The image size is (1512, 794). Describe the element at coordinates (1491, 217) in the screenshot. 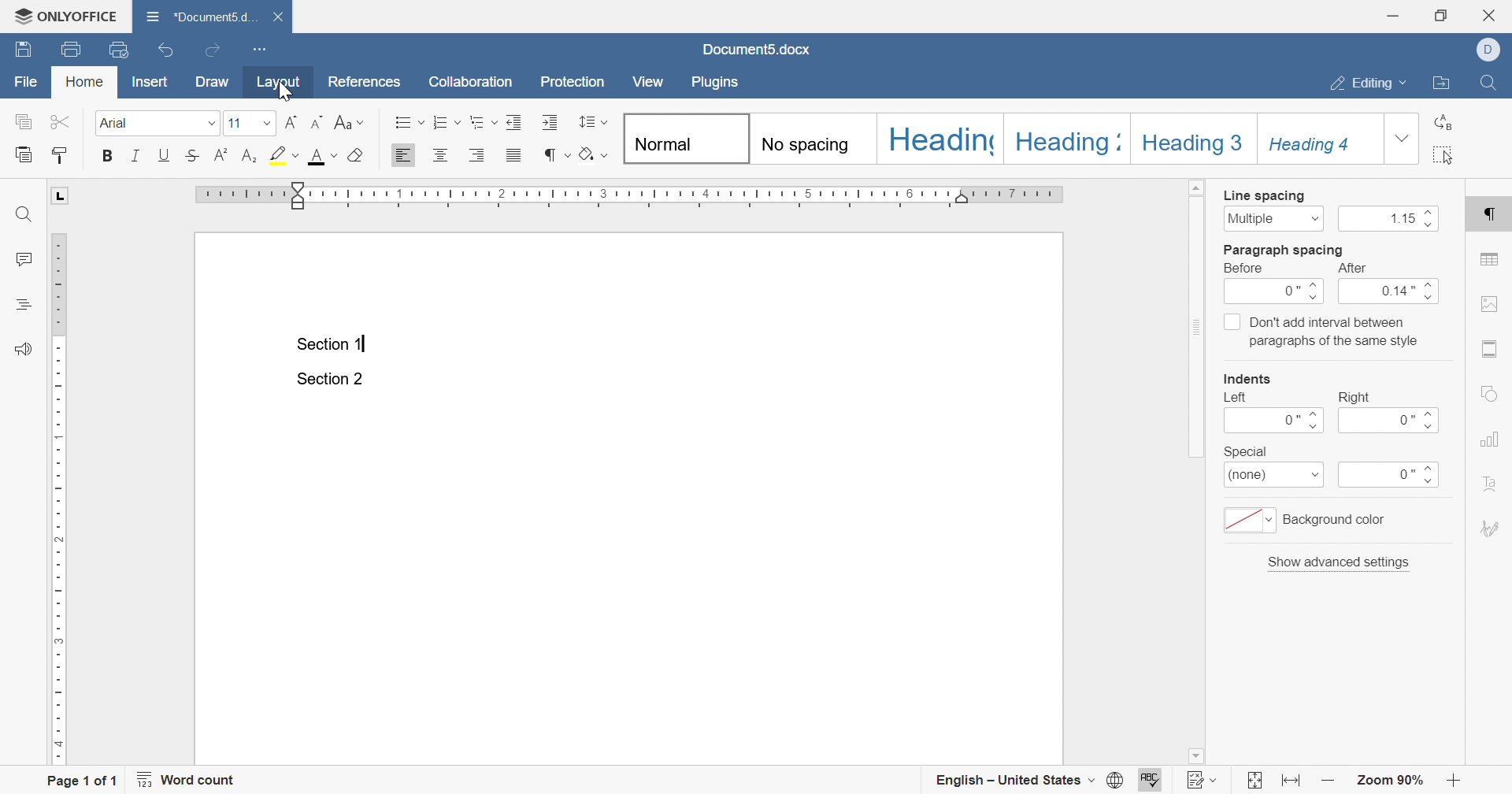

I see `paragraph settings` at that location.